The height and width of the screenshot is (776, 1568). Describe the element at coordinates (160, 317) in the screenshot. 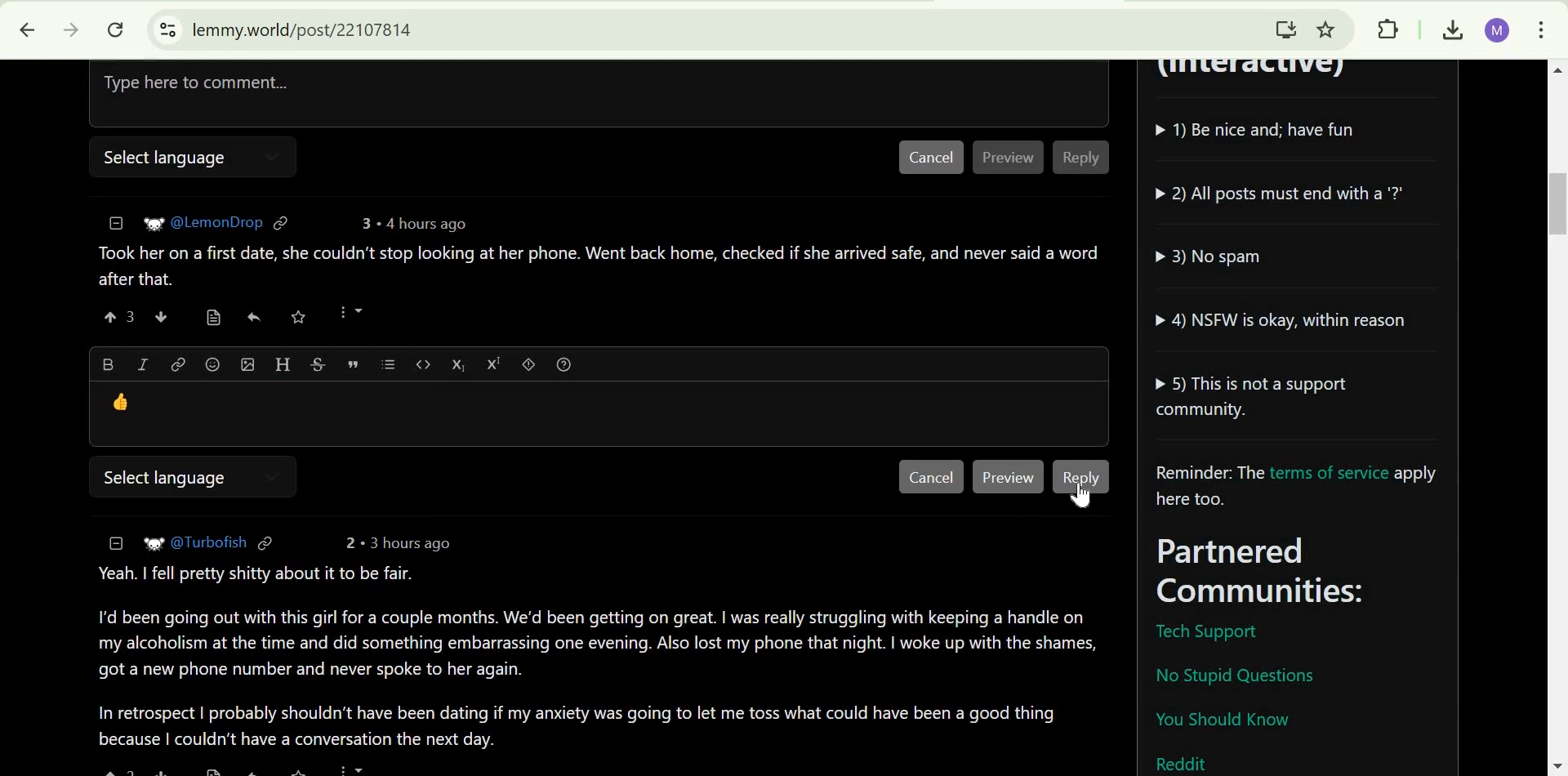

I see `downvote` at that location.